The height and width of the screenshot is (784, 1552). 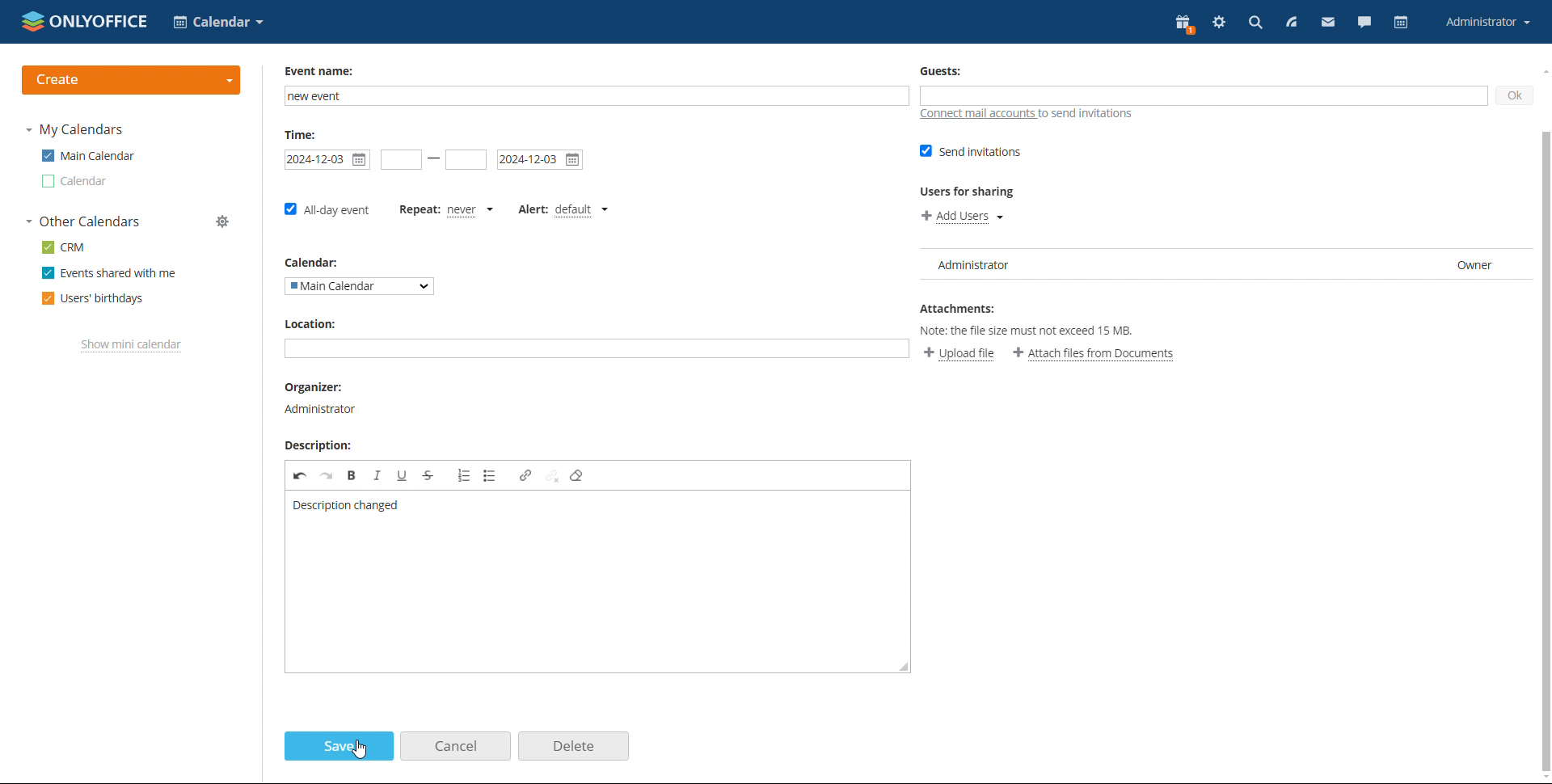 I want to click on add guests, so click(x=1199, y=96).